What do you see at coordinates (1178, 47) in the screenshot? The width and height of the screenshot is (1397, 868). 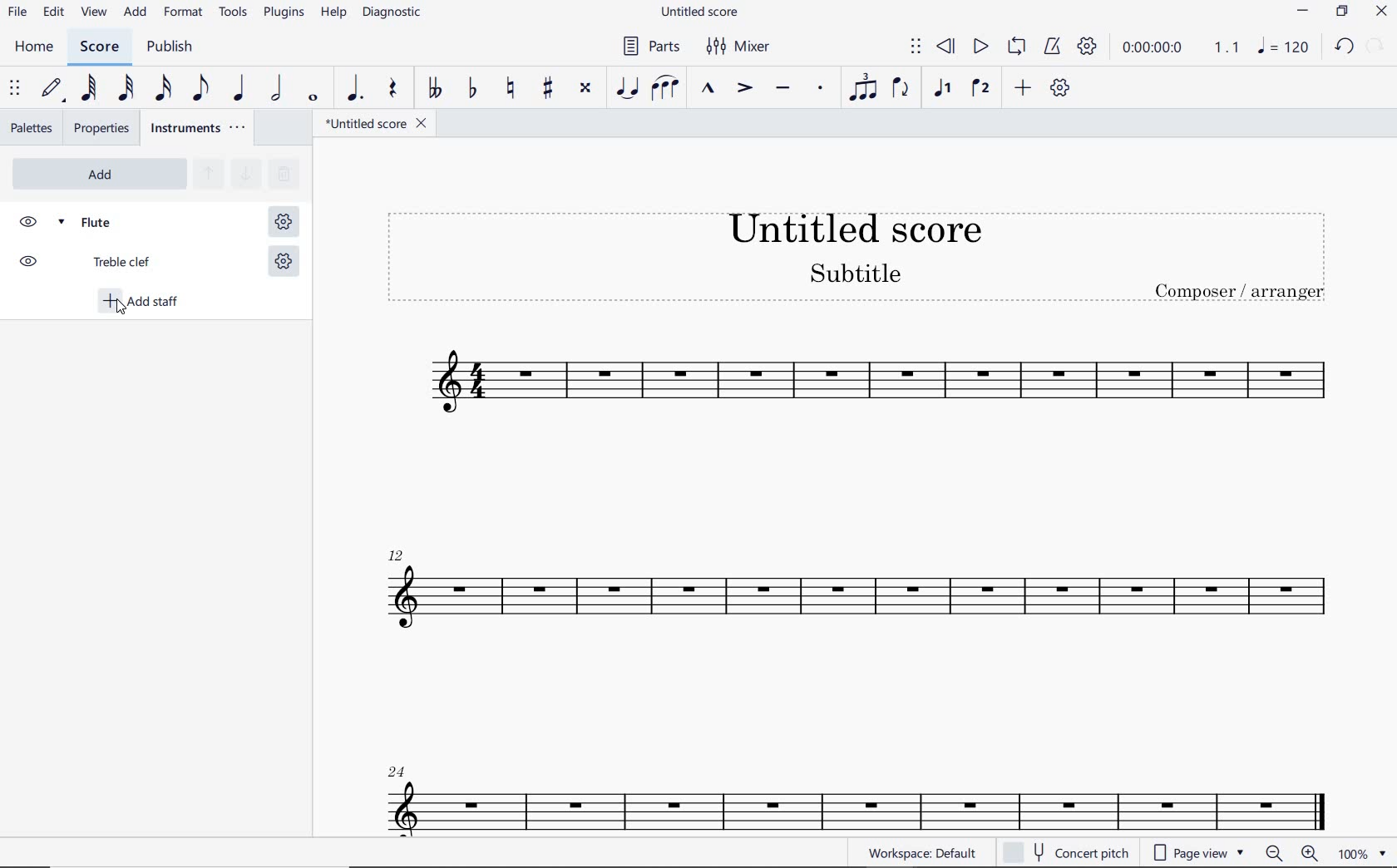 I see `PLAY TIME` at bounding box center [1178, 47].